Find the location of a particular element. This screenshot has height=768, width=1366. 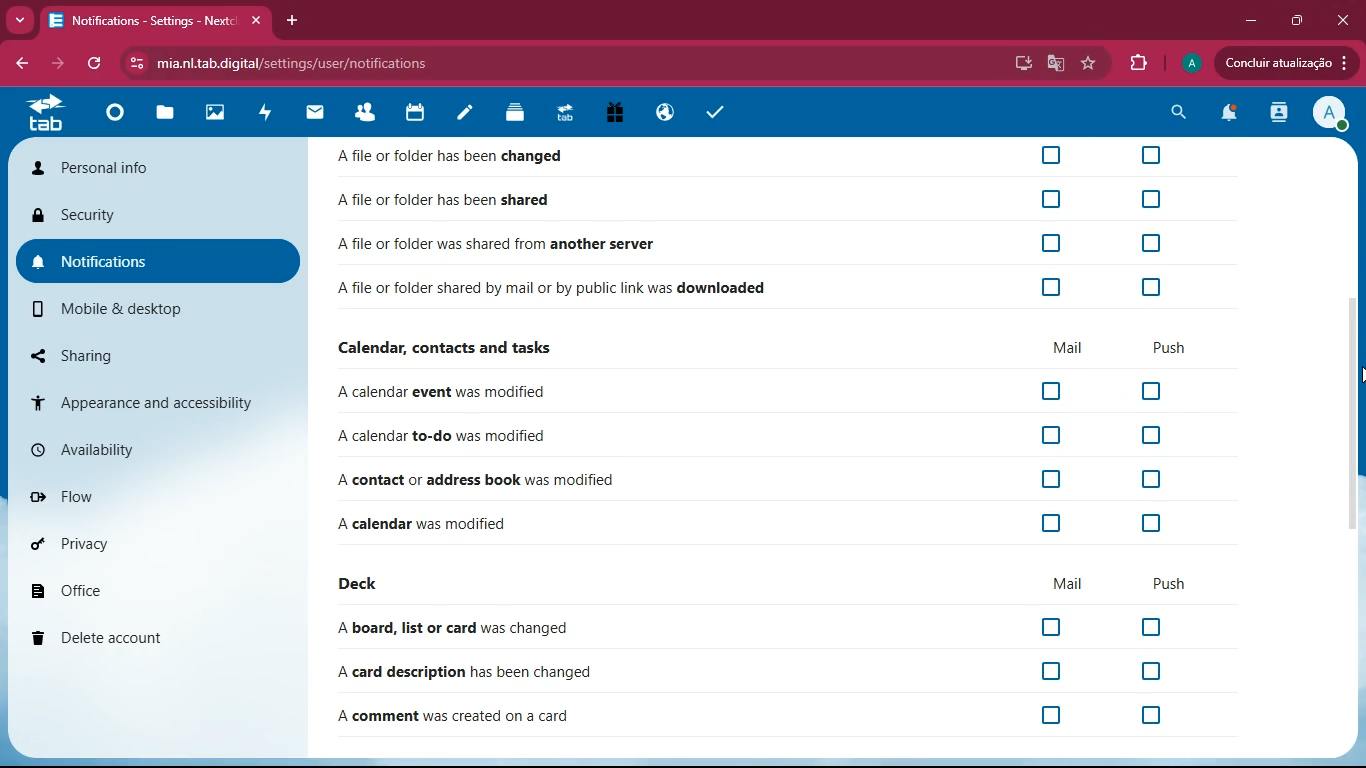

personal info is located at coordinates (126, 168).